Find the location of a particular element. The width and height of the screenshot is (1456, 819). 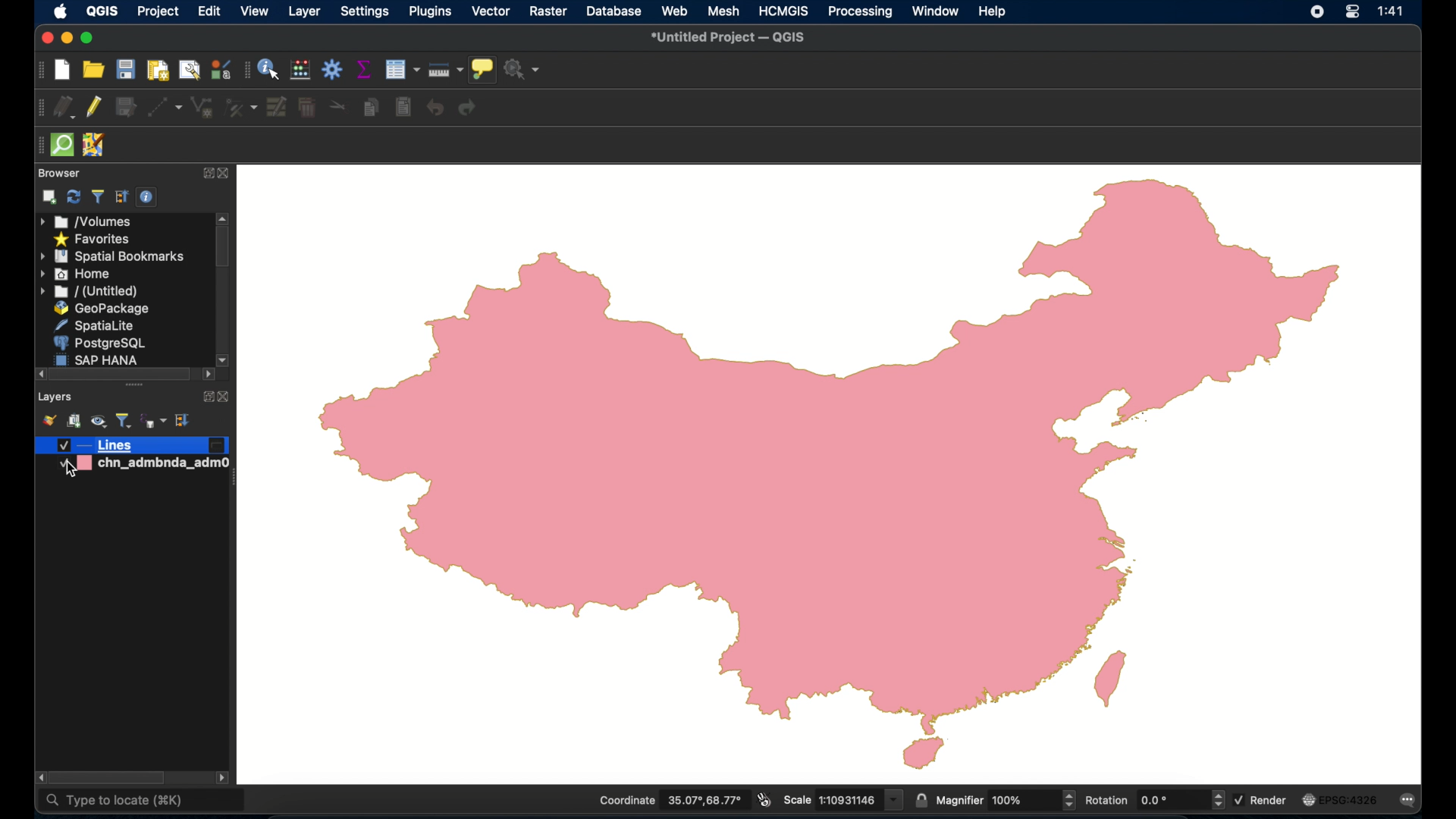

project toolbar is located at coordinates (42, 70).